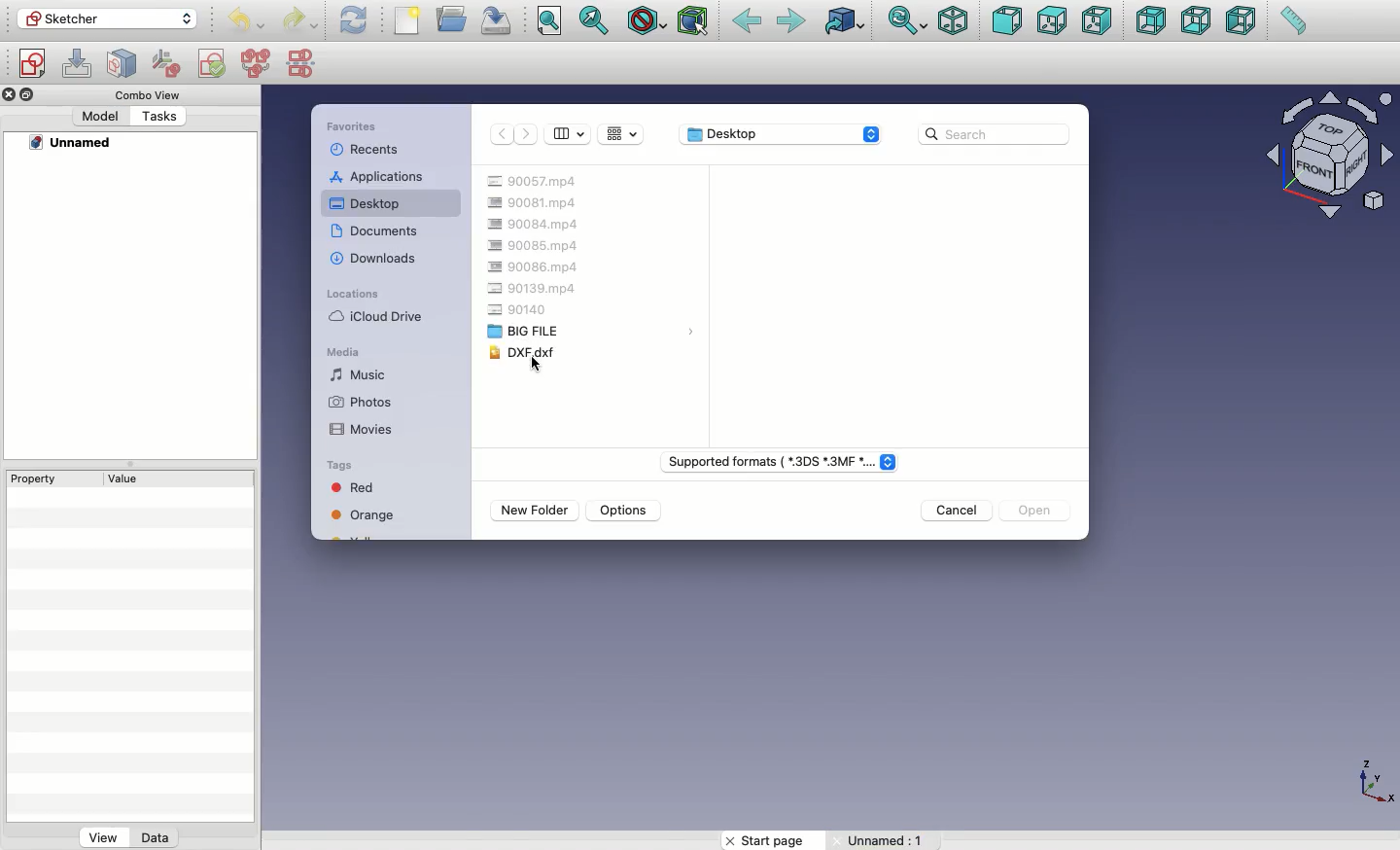  What do you see at coordinates (525, 134) in the screenshot?
I see `Forward` at bounding box center [525, 134].